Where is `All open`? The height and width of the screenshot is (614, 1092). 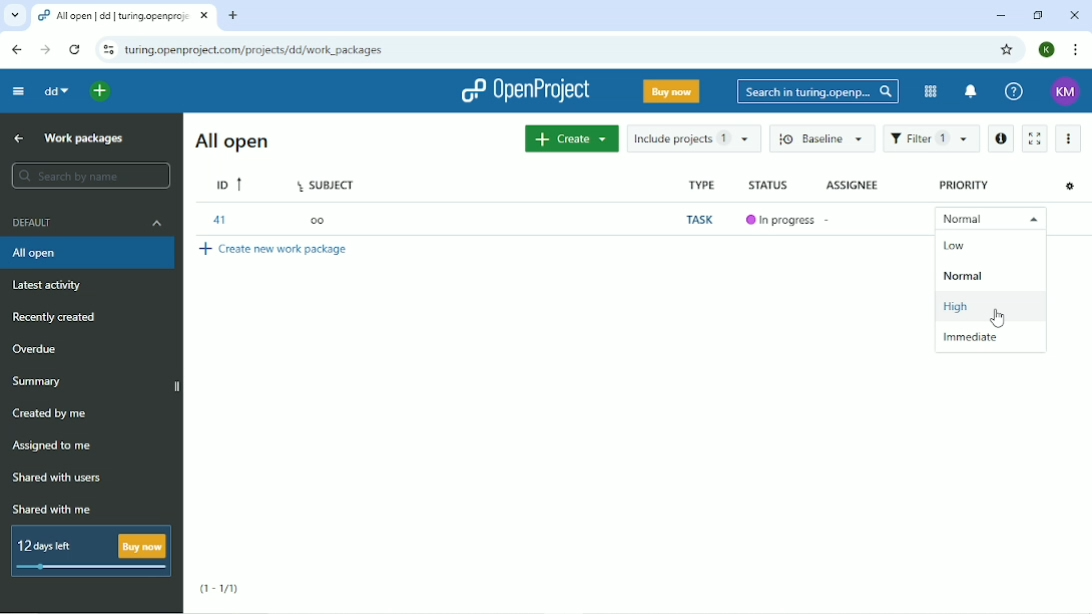
All open is located at coordinates (232, 143).